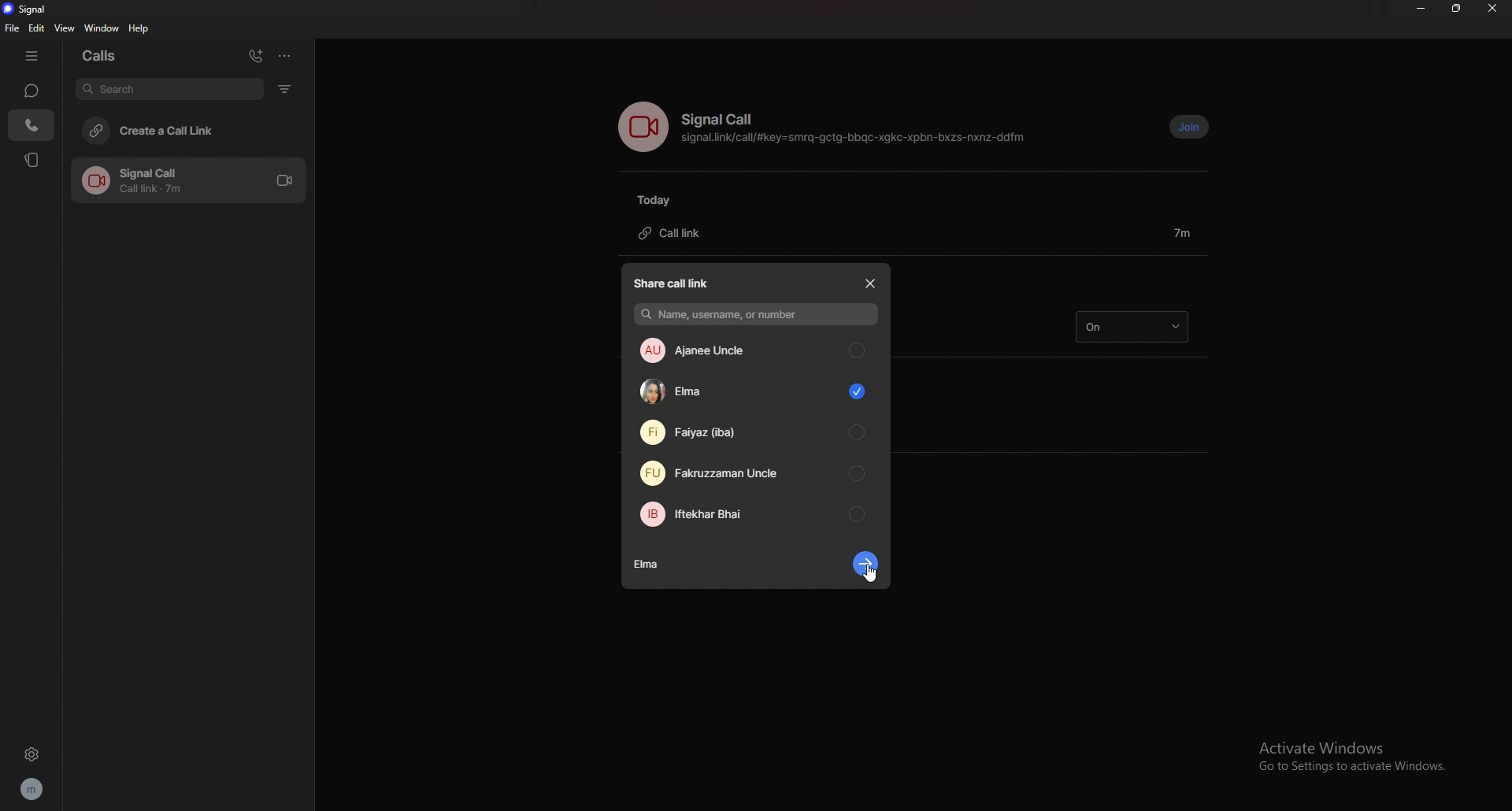 Image resolution: width=1512 pixels, height=811 pixels. Describe the element at coordinates (1131, 327) in the screenshot. I see `on` at that location.